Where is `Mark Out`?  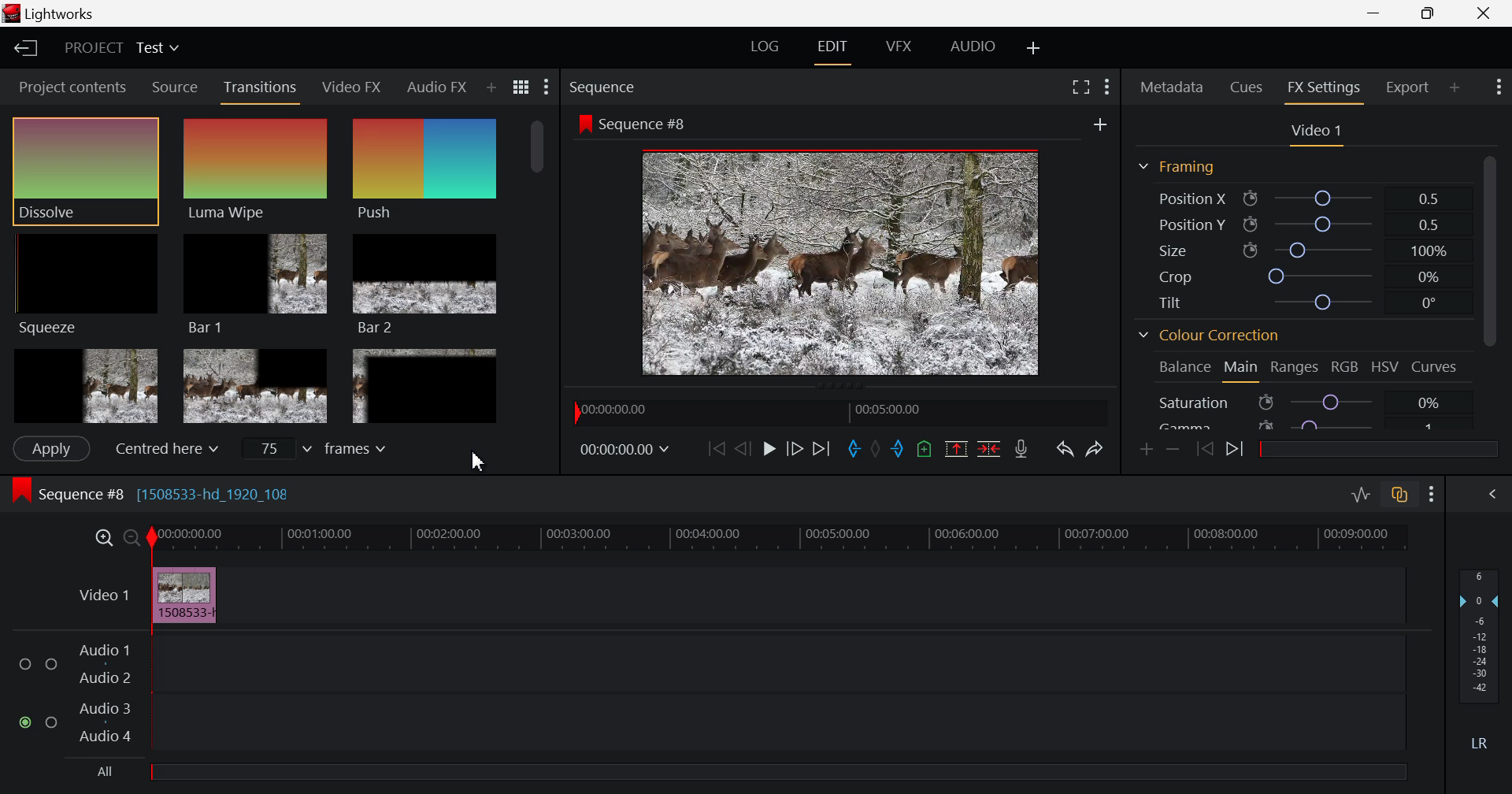 Mark Out is located at coordinates (898, 451).